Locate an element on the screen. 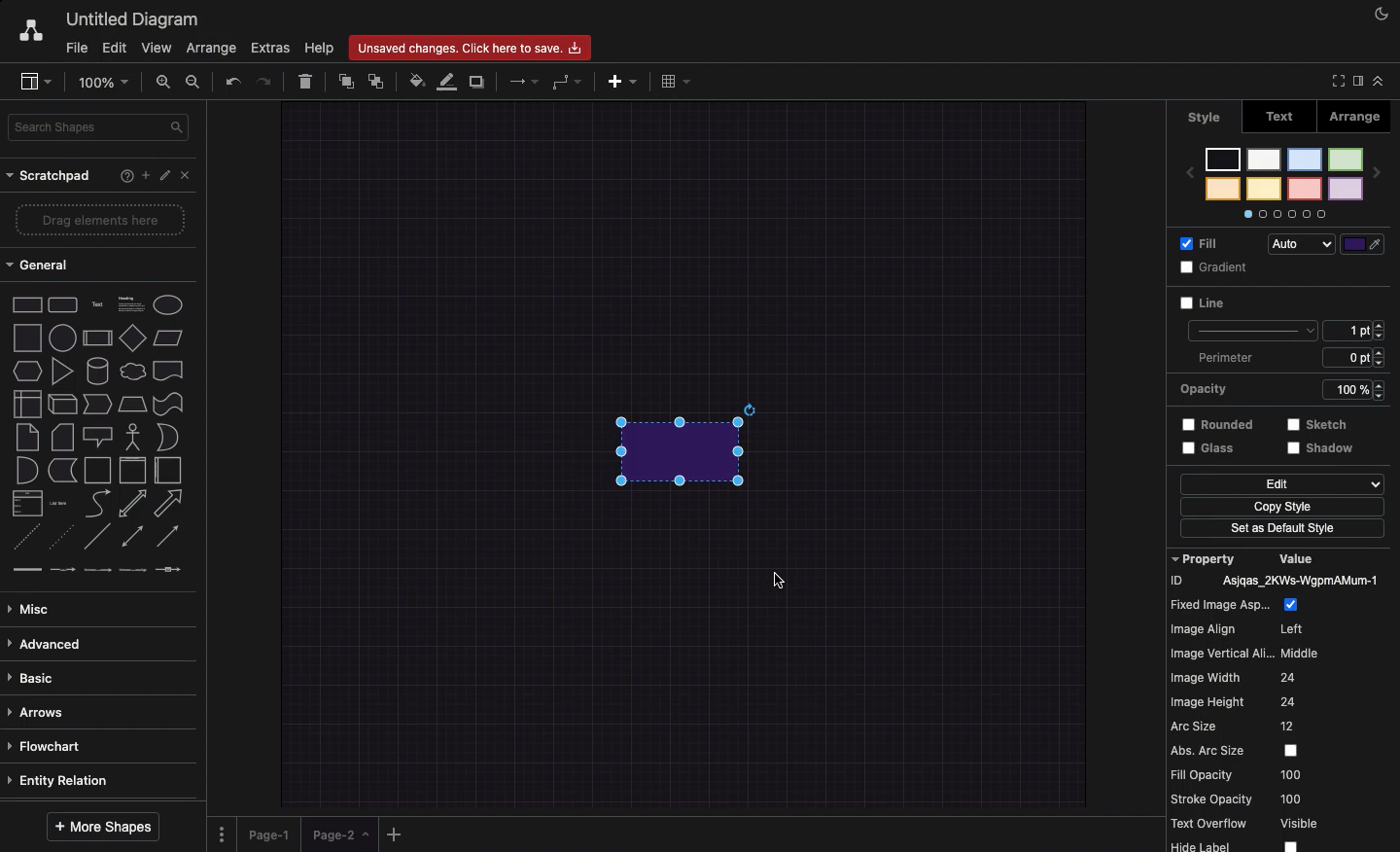 The image size is (1400, 852). Basic is located at coordinates (36, 673).